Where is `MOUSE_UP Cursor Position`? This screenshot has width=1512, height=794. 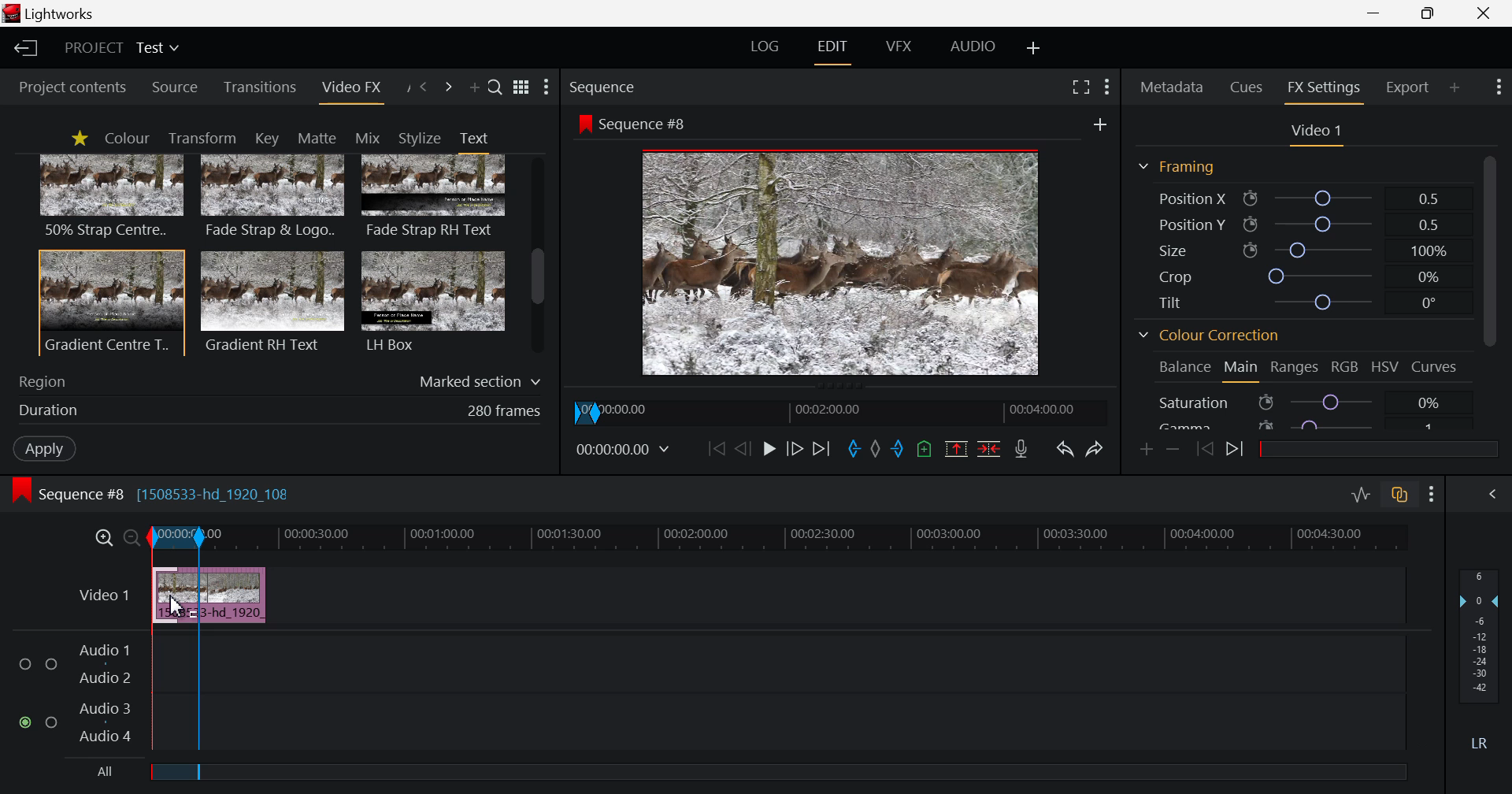
MOUSE_UP Cursor Position is located at coordinates (175, 603).